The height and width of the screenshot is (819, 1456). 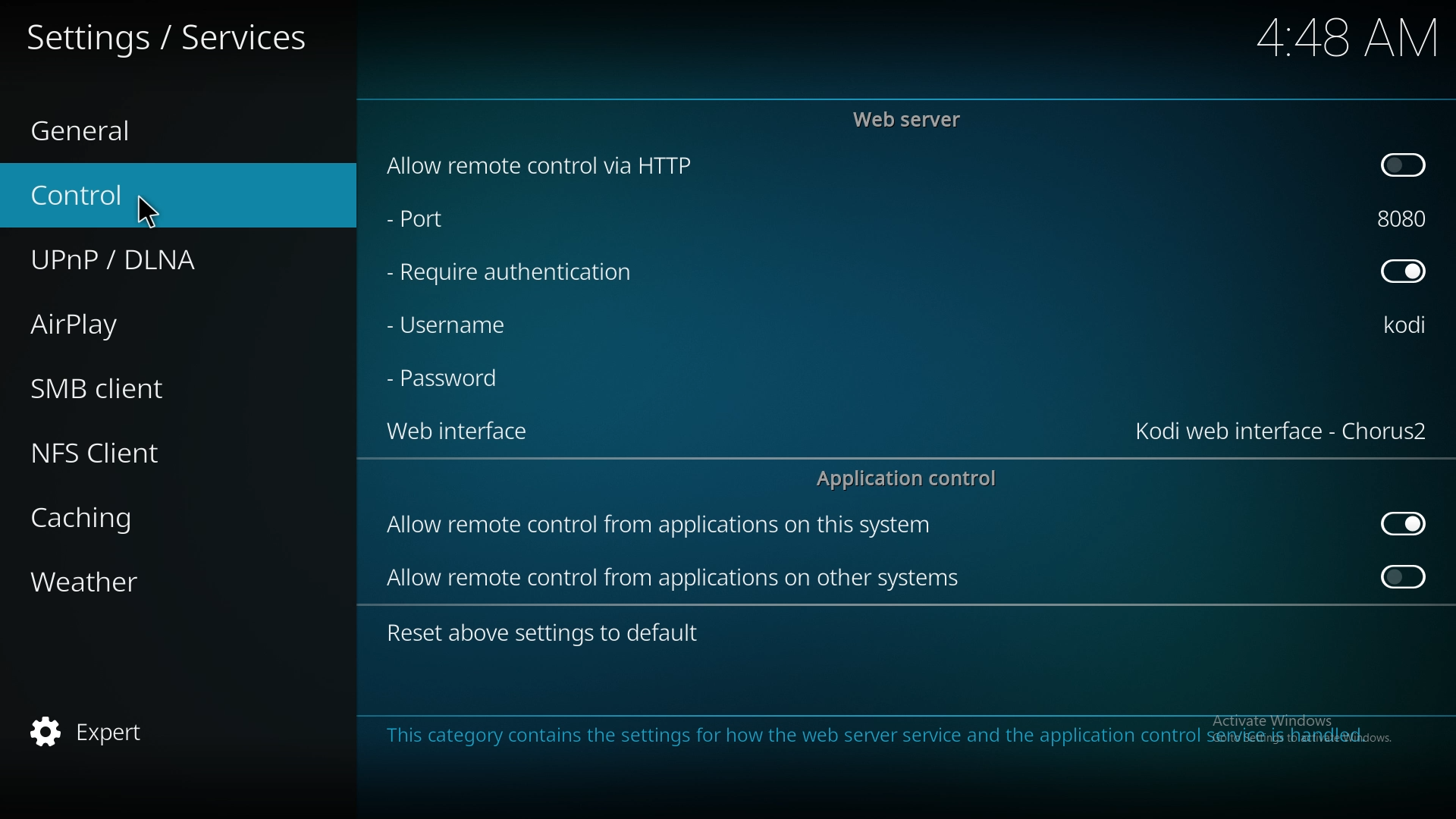 What do you see at coordinates (457, 329) in the screenshot?
I see `username` at bounding box center [457, 329].